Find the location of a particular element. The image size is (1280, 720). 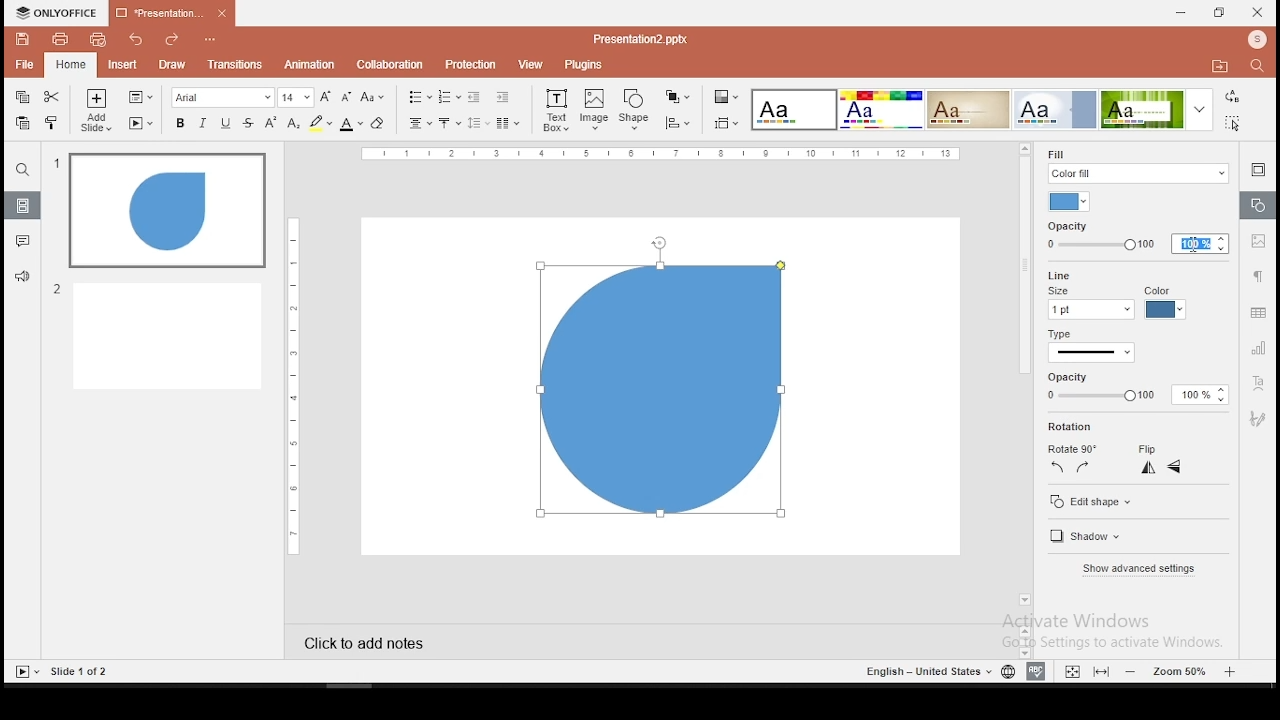

fill is located at coordinates (1137, 164).